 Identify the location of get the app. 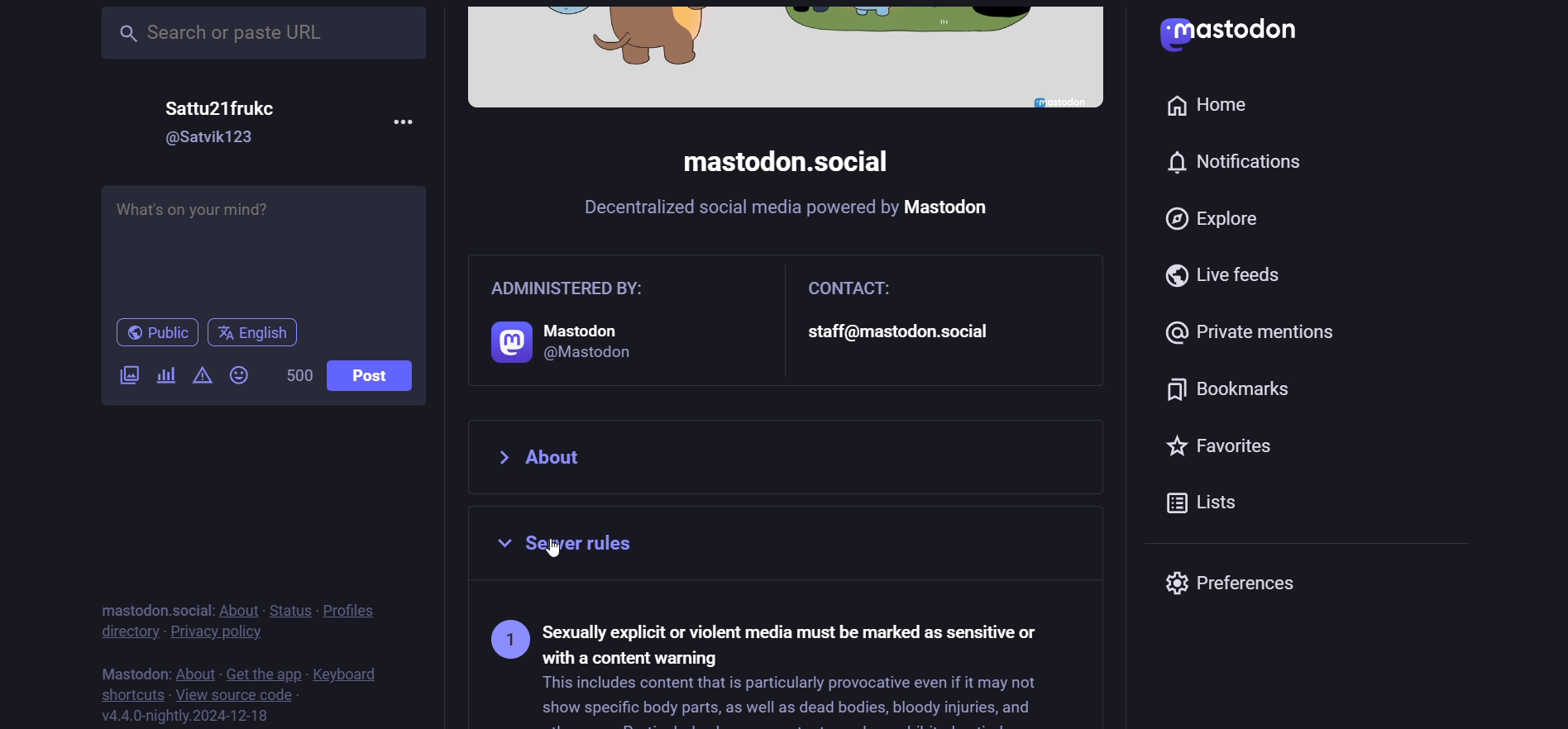
(264, 671).